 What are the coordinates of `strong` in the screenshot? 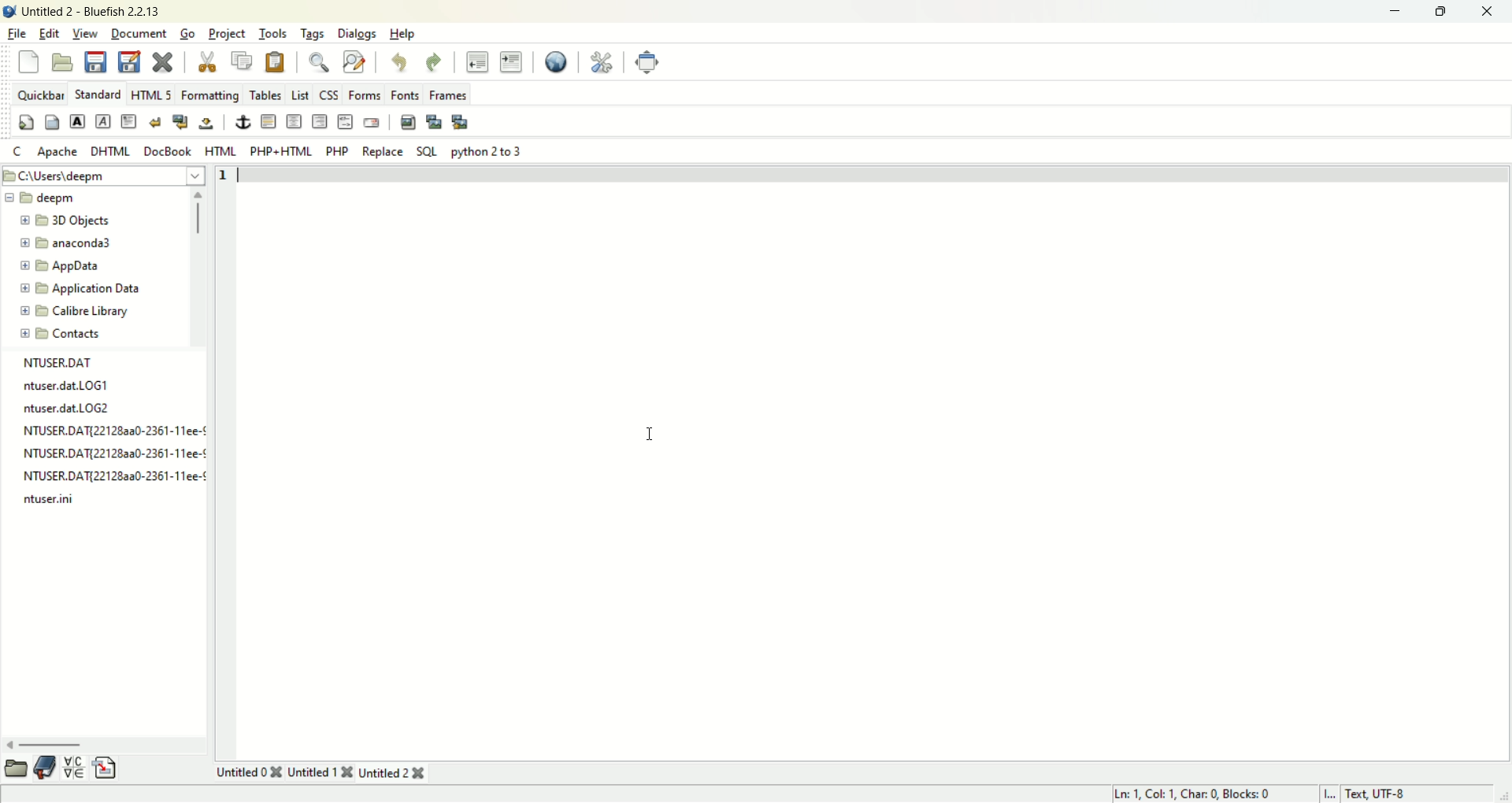 It's located at (77, 122).